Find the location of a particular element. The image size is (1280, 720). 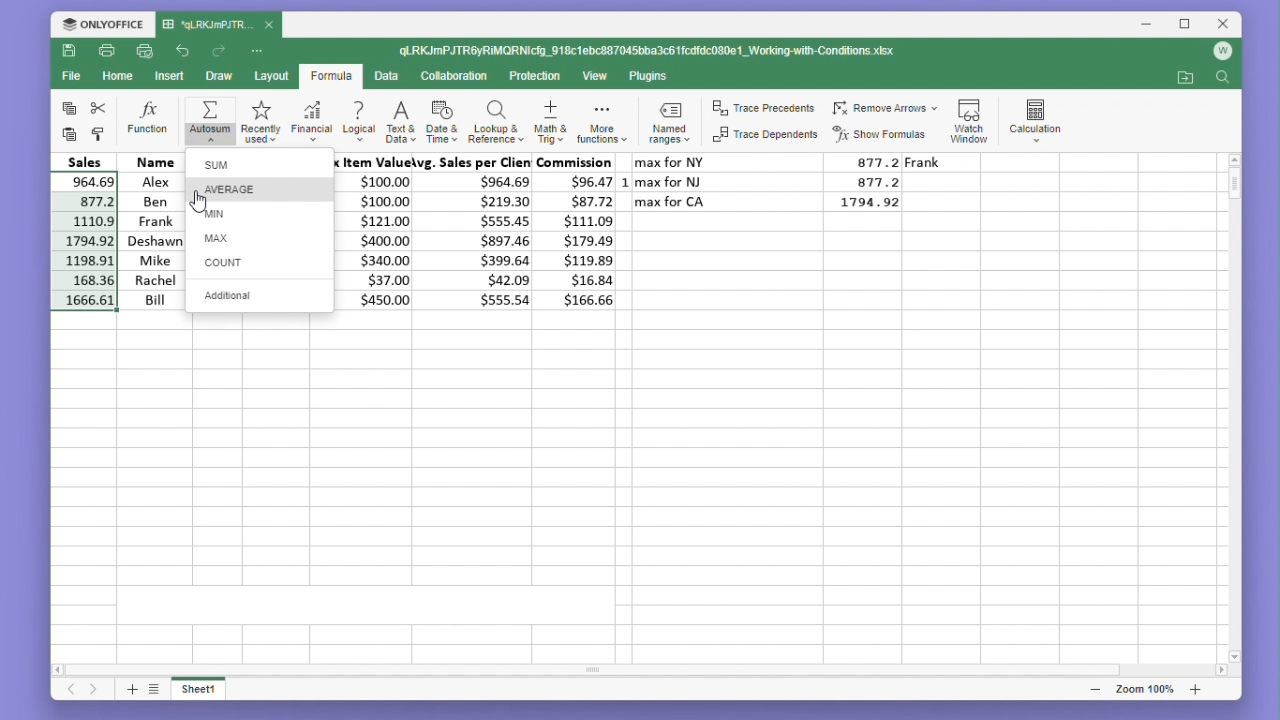

Horizontal scroll bar is located at coordinates (629, 670).